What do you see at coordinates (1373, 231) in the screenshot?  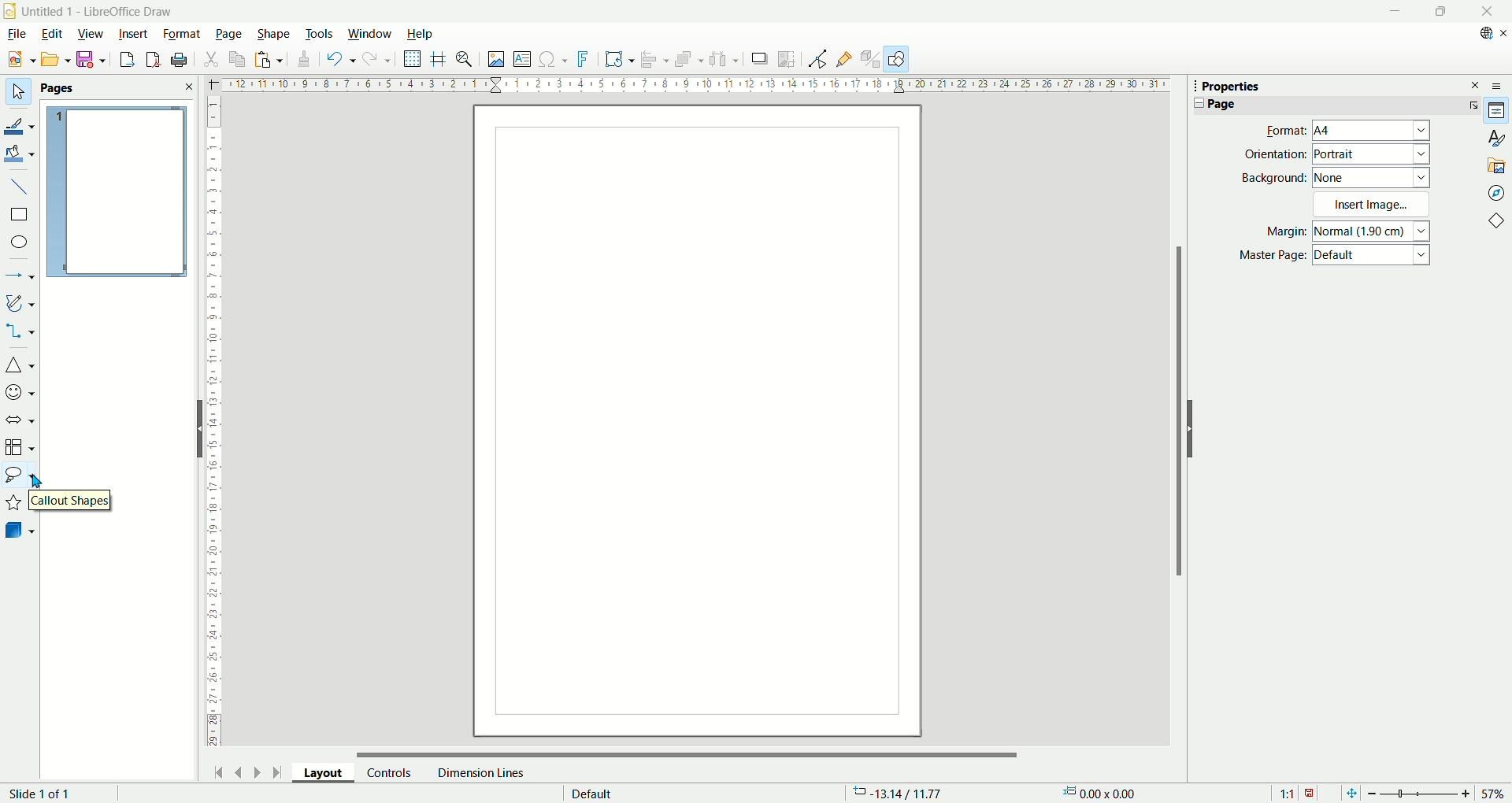 I see `Normal` at bounding box center [1373, 231].